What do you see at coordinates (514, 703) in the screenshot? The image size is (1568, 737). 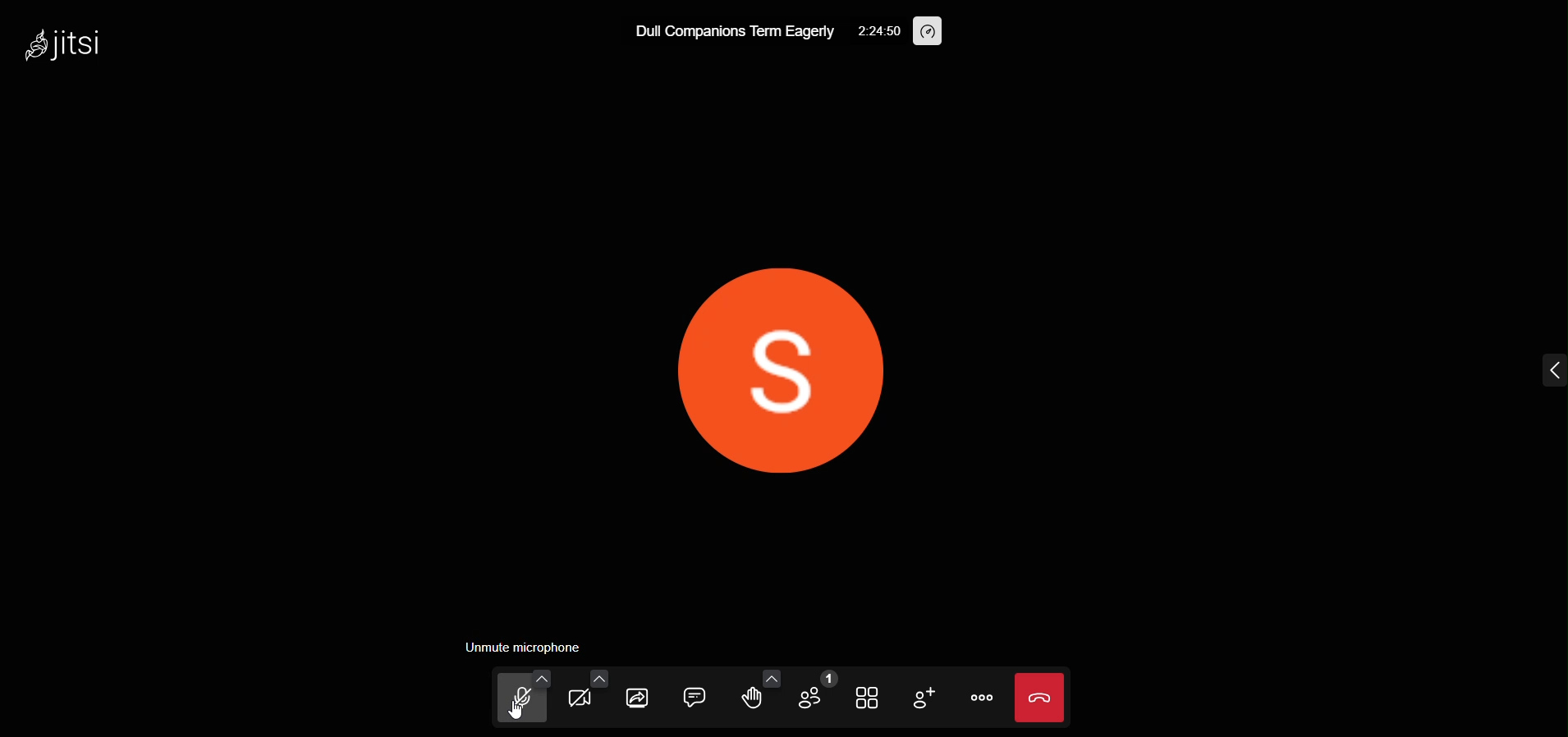 I see `microphone off` at bounding box center [514, 703].